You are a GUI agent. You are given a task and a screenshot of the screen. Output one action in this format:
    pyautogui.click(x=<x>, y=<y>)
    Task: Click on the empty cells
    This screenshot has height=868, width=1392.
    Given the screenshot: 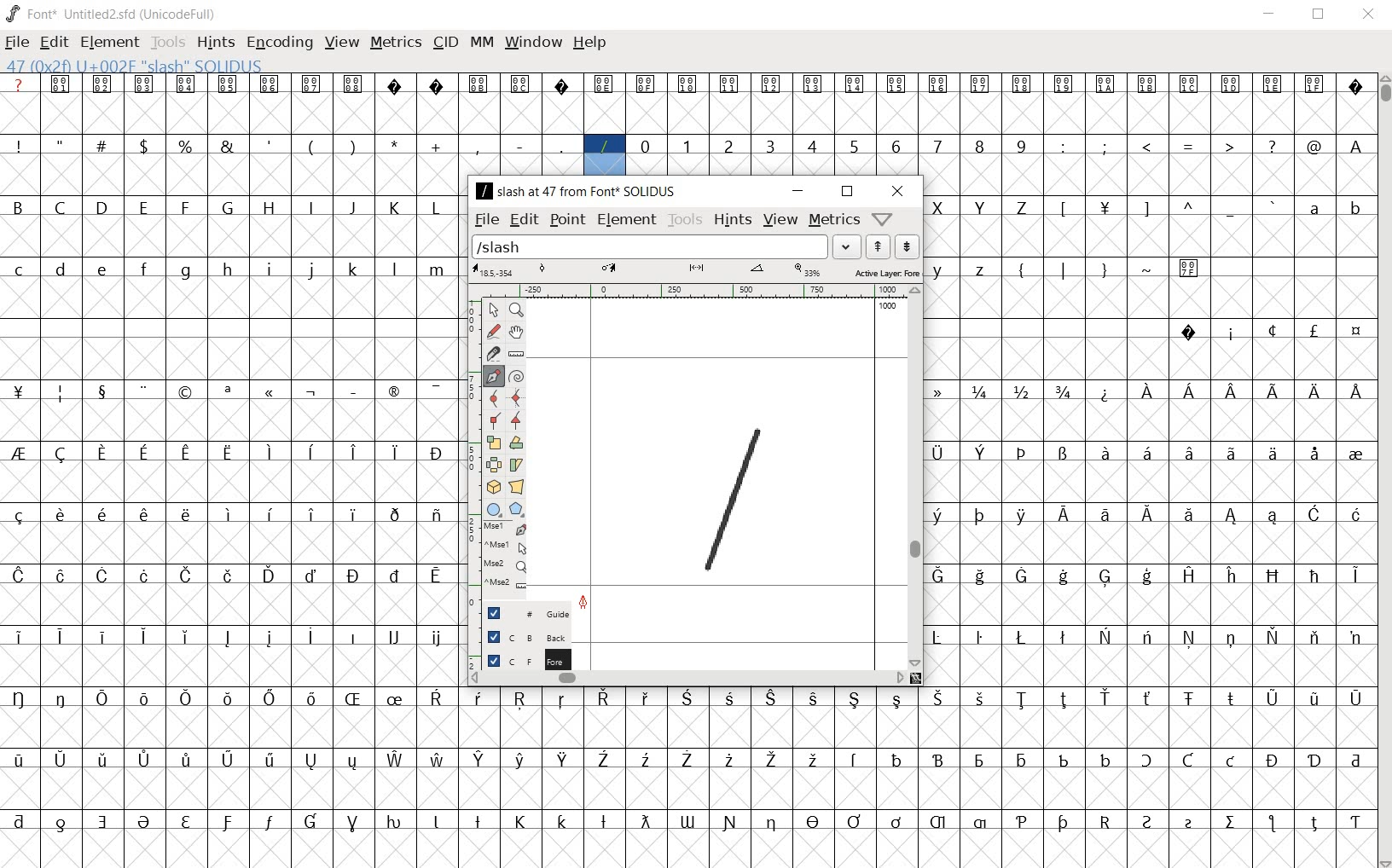 What is the action you would take?
    pyautogui.click(x=232, y=605)
    